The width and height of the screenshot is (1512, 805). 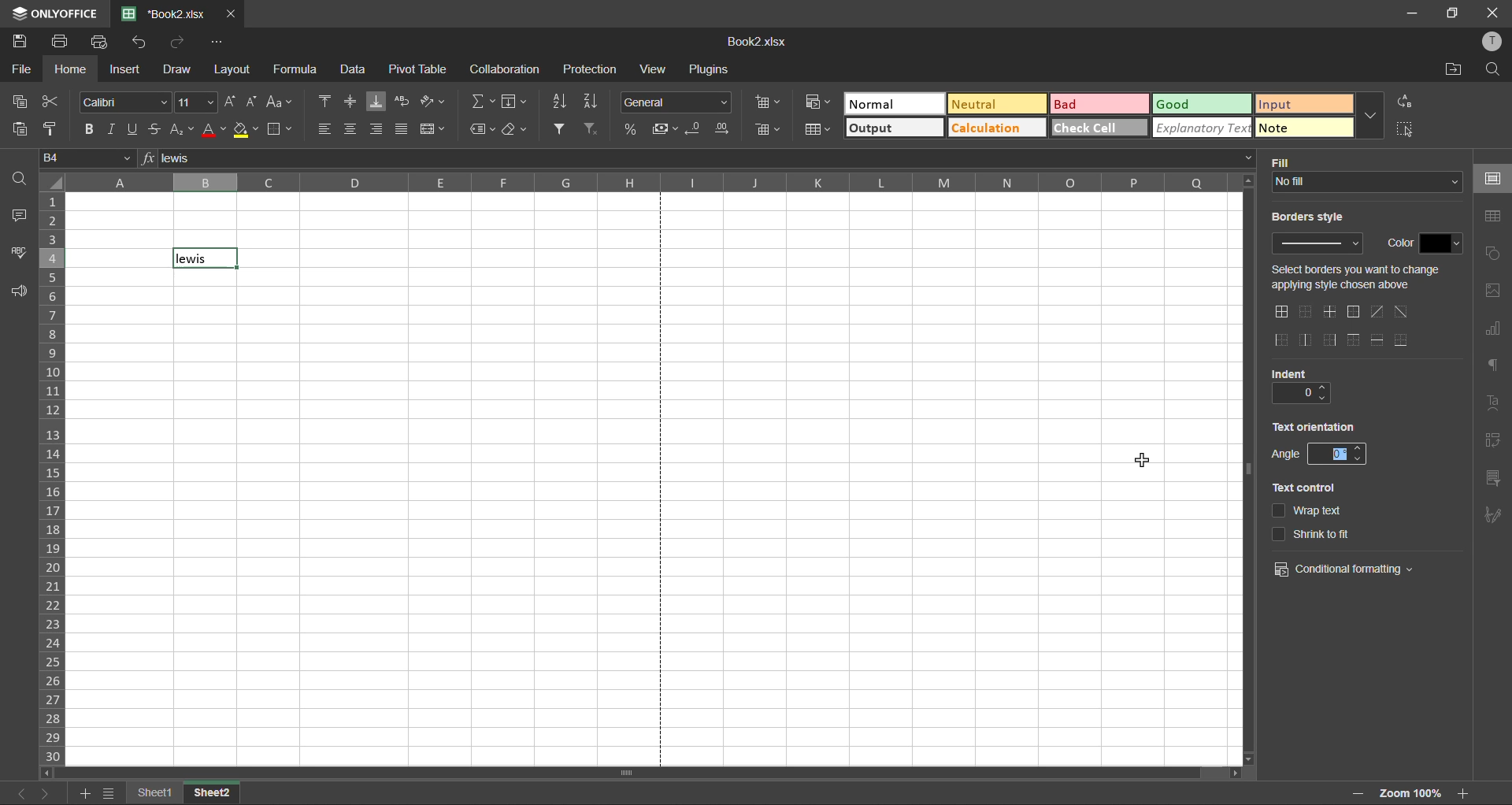 What do you see at coordinates (432, 100) in the screenshot?
I see `orientation` at bounding box center [432, 100].